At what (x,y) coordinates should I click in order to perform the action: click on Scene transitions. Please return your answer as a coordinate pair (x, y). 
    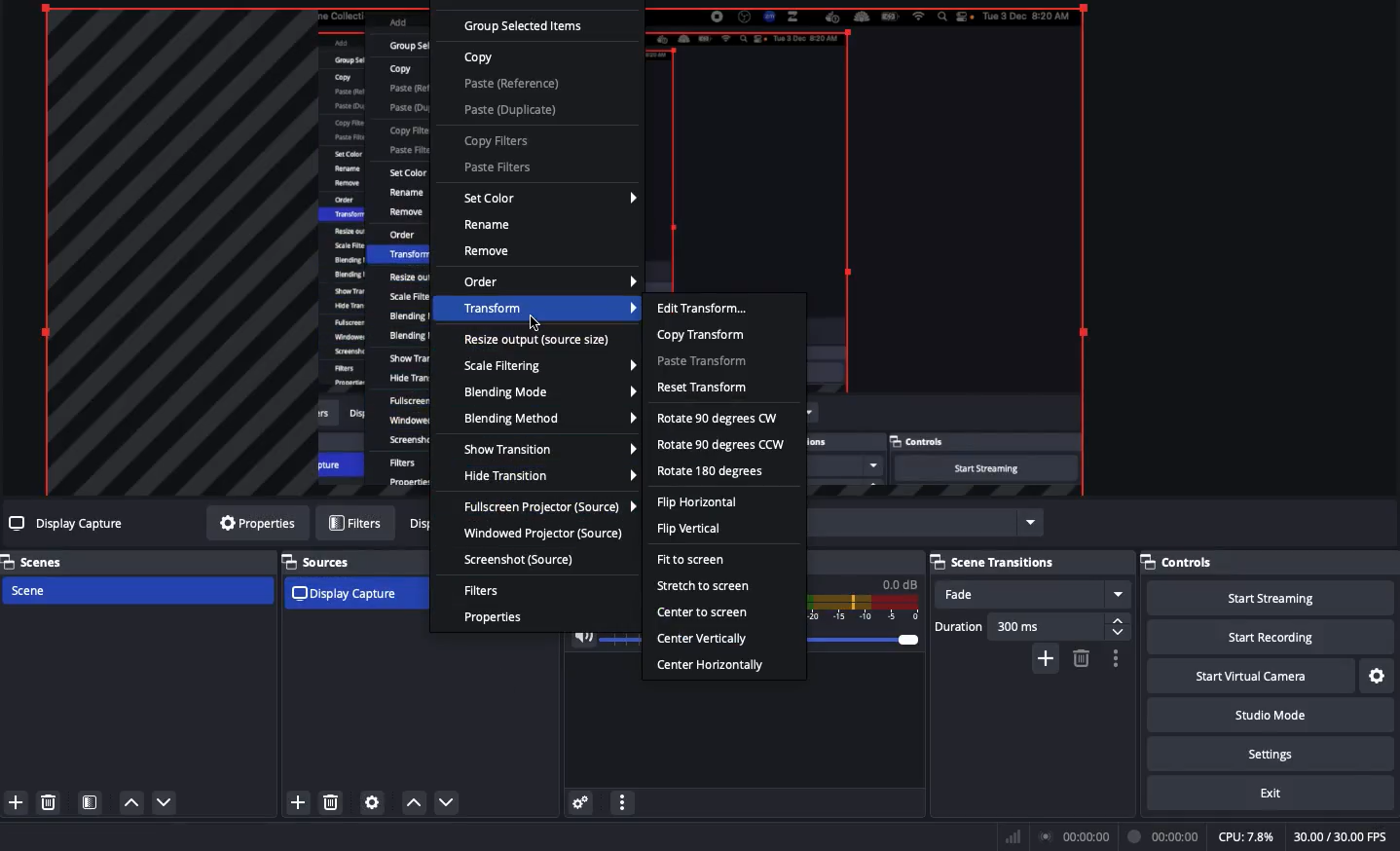
    Looking at the image, I should click on (995, 564).